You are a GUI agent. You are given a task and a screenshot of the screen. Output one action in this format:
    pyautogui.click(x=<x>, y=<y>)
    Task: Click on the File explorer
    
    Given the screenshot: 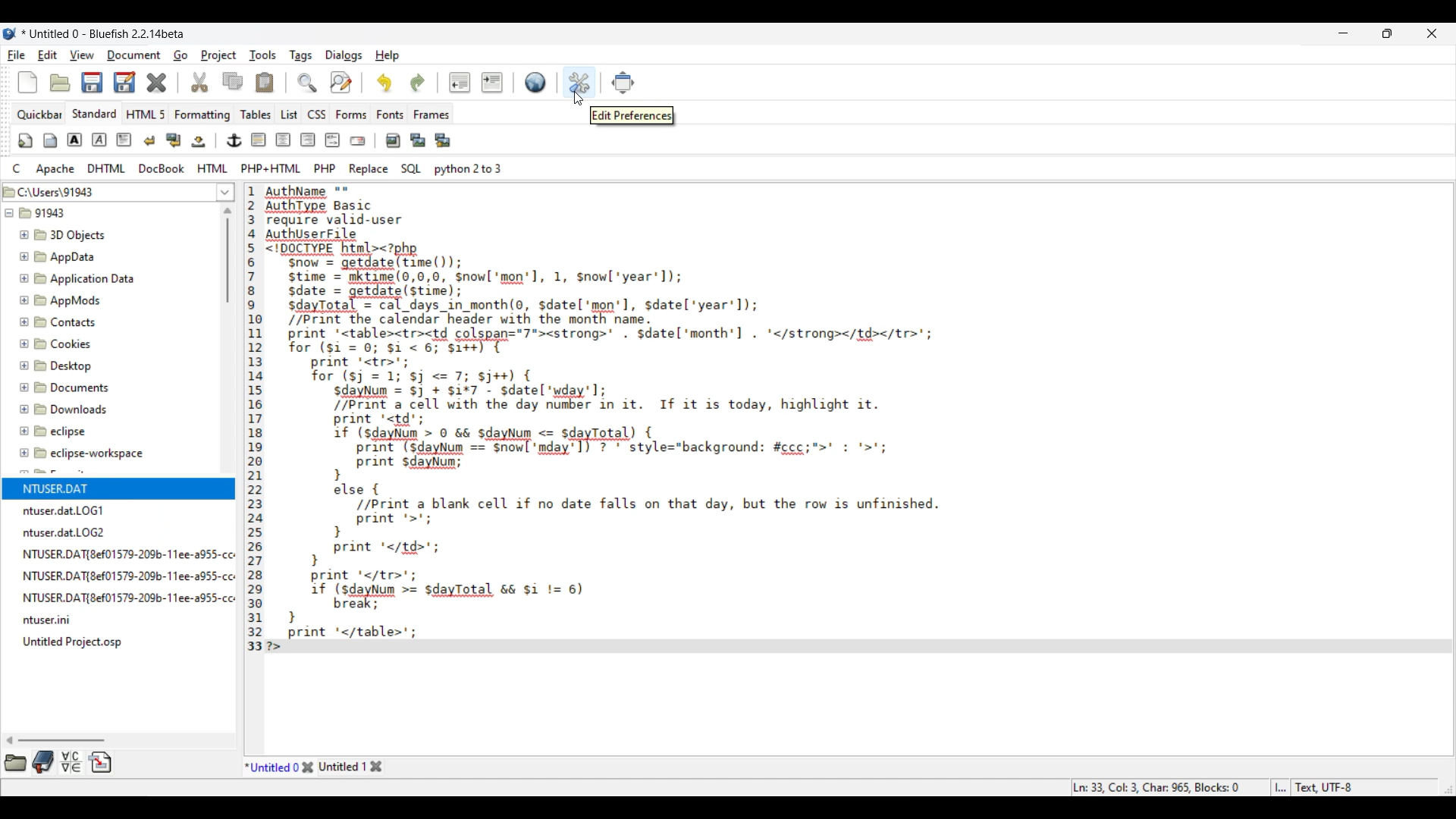 What is the action you would take?
    pyautogui.click(x=110, y=416)
    